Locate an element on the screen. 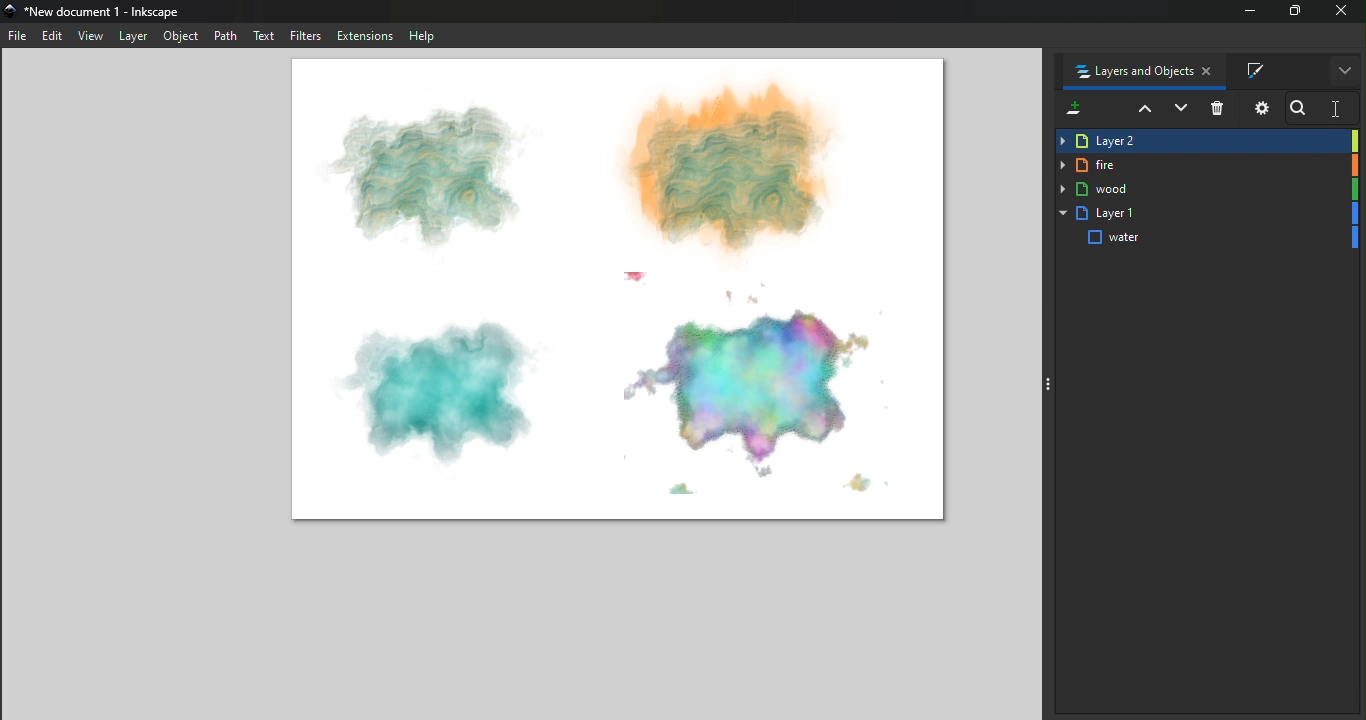 This screenshot has width=1366, height=720. Layer 1 is located at coordinates (1208, 214).